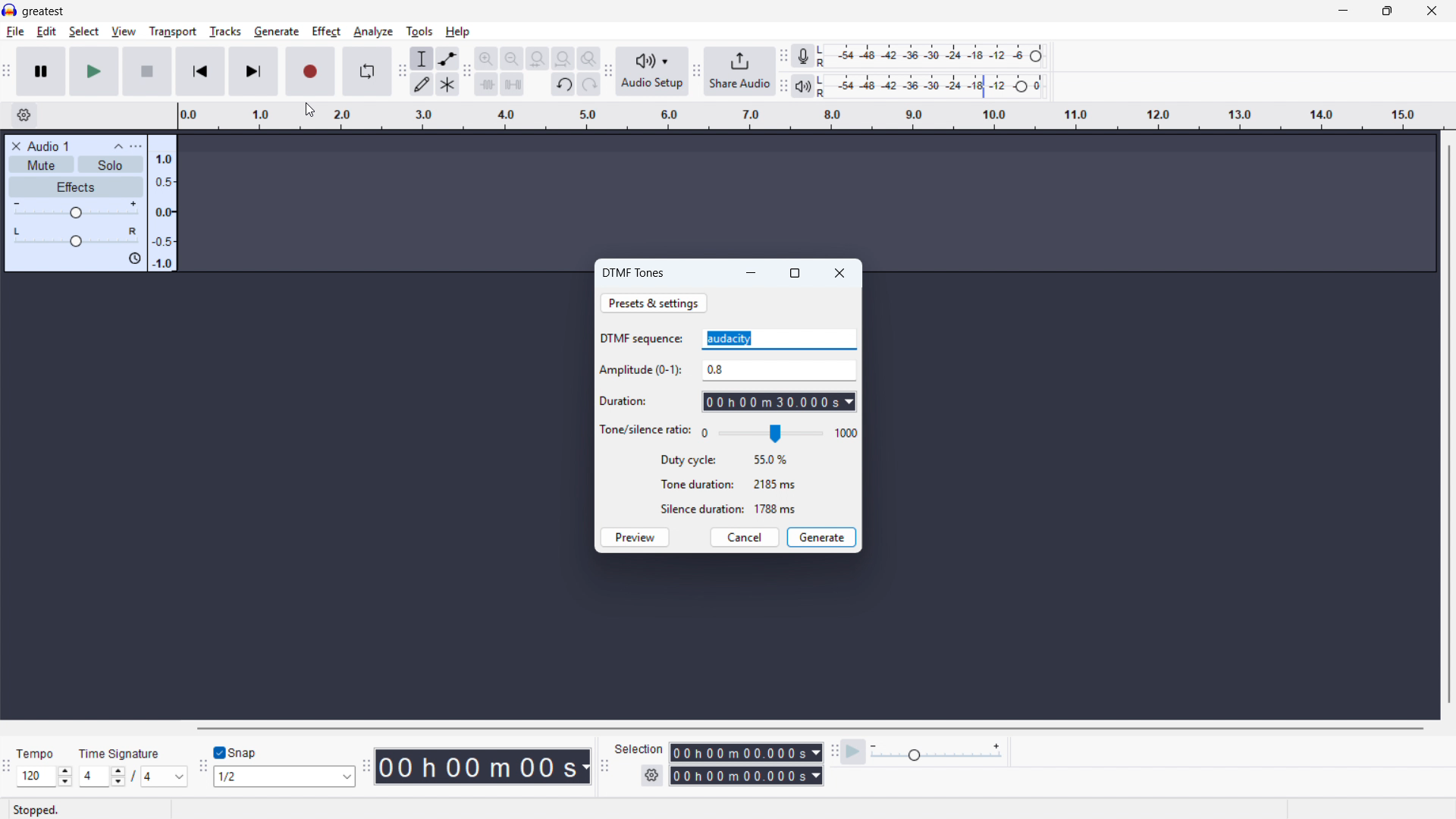 This screenshot has width=1456, height=819. Describe the element at coordinates (486, 85) in the screenshot. I see `trim audio outside selection` at that location.